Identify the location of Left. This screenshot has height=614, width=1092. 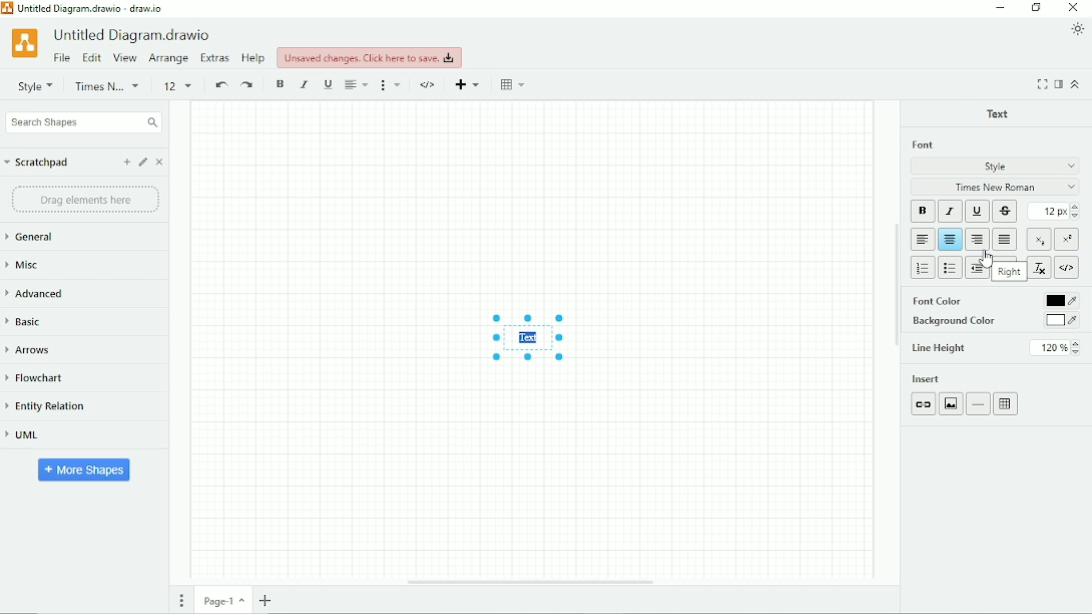
(923, 239).